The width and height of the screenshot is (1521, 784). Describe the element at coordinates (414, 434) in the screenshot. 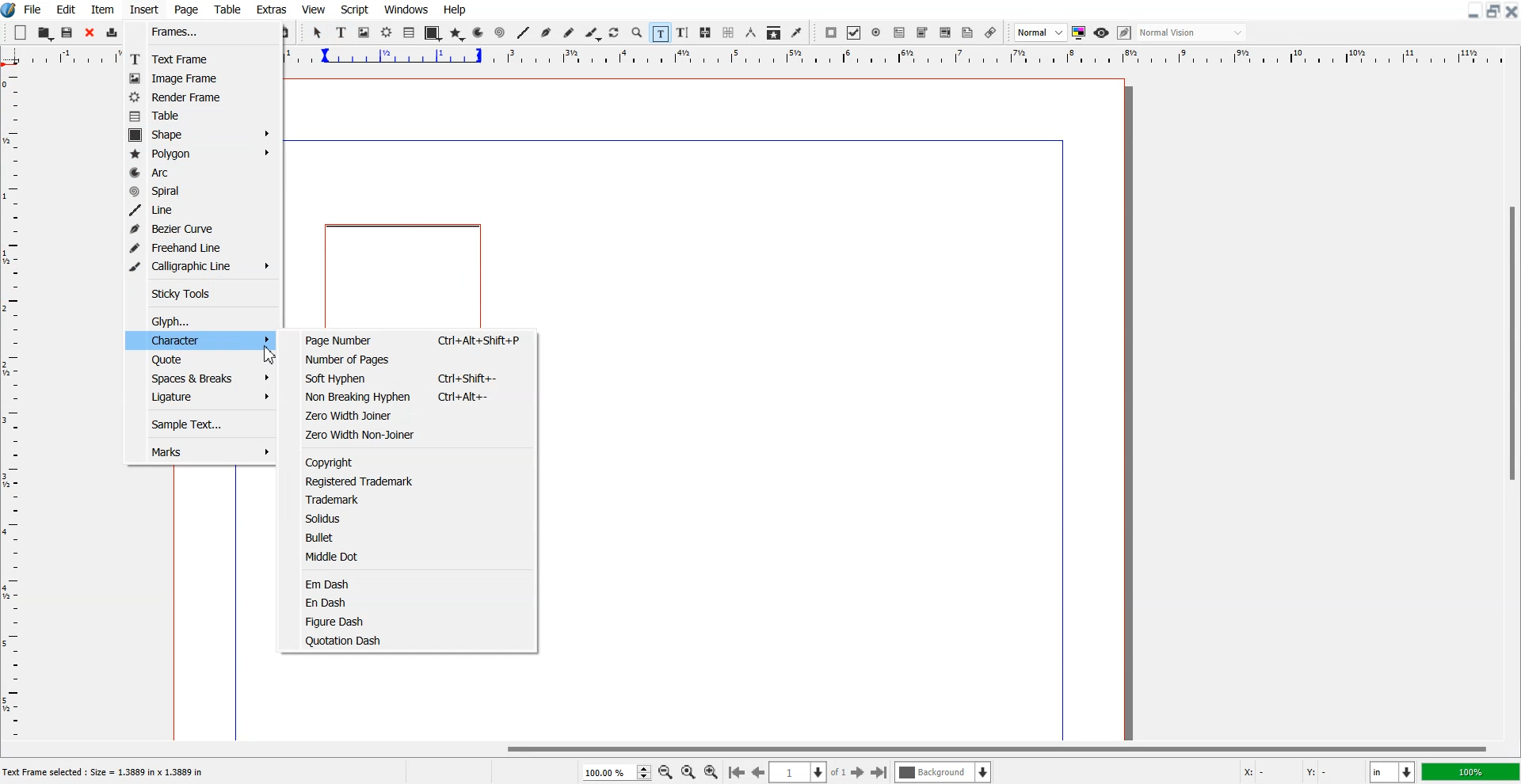

I see `Zero Width Non-Joiner` at that location.